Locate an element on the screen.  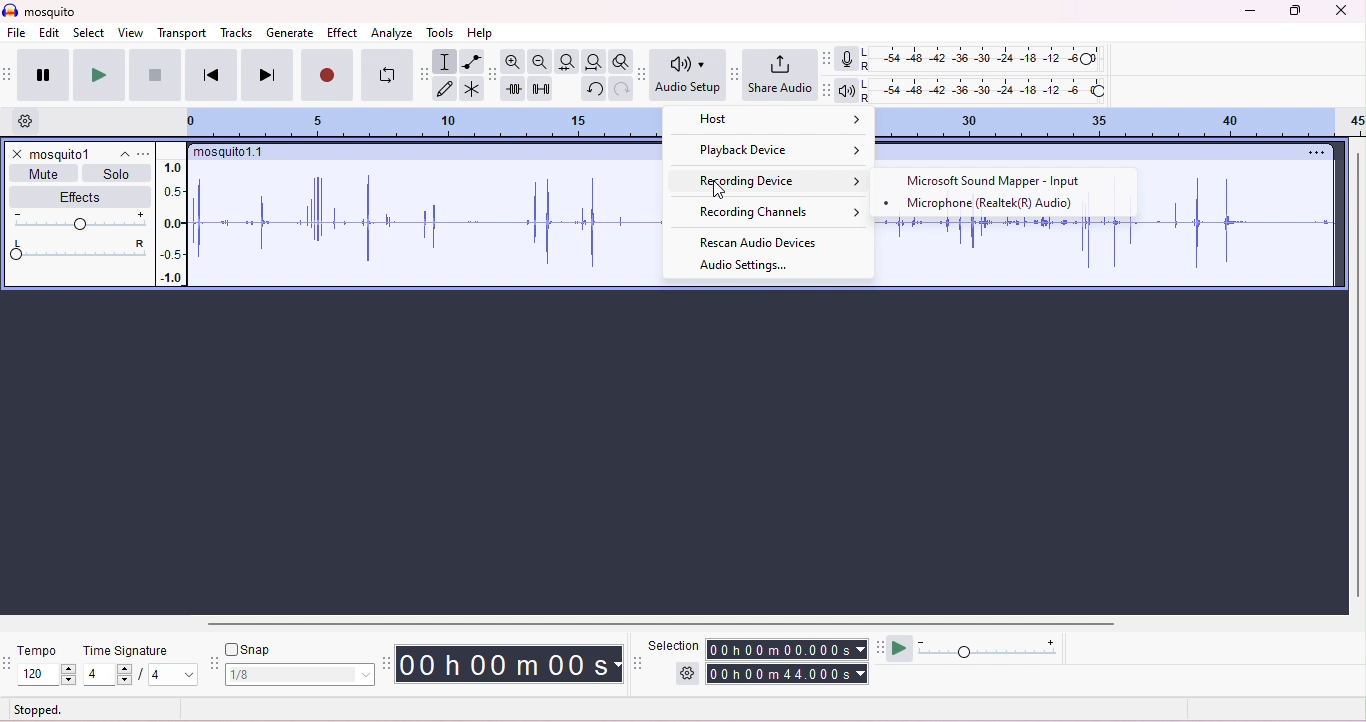
selection is located at coordinates (444, 62).